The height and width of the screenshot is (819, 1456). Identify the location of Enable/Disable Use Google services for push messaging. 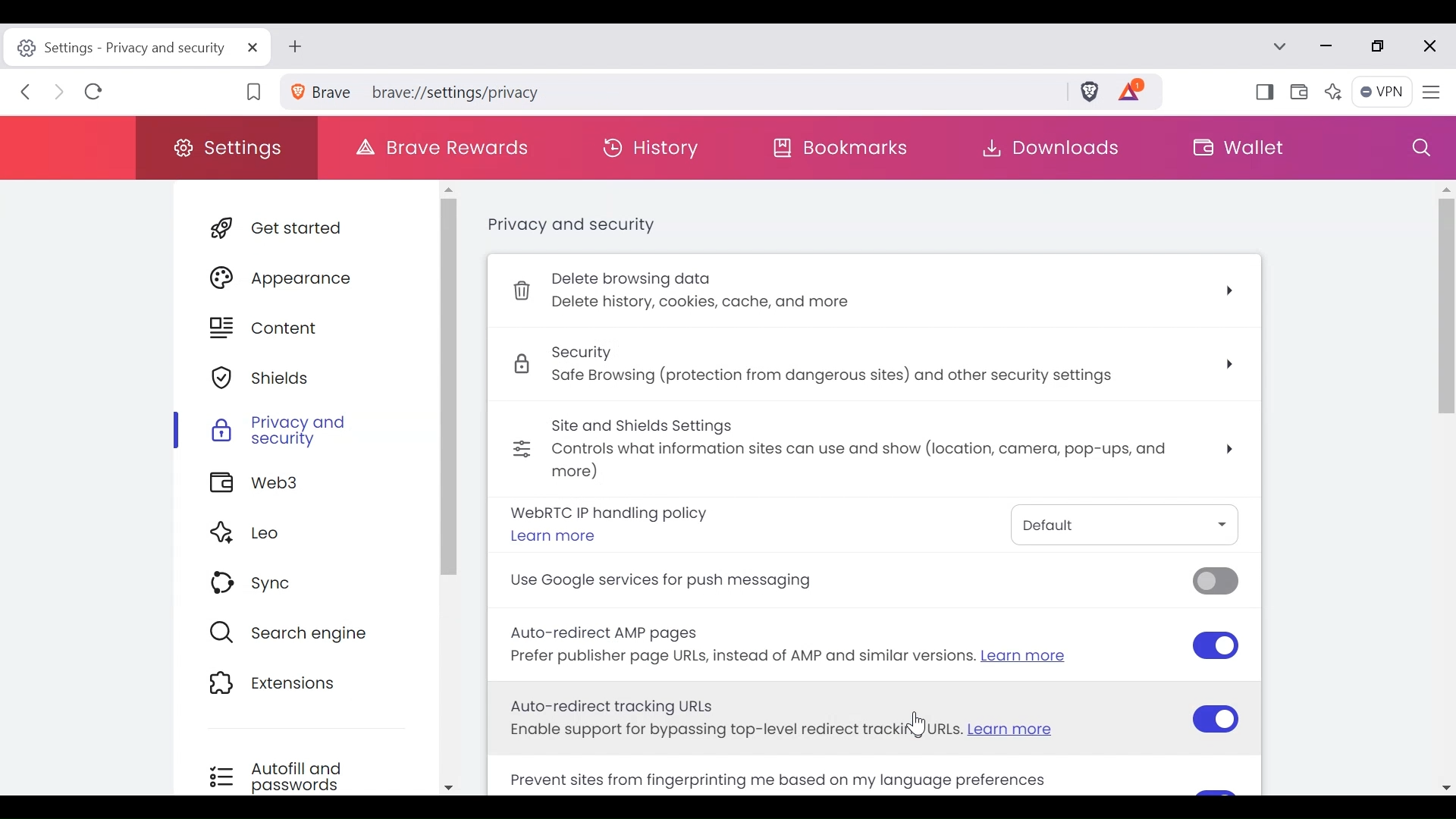
(868, 585).